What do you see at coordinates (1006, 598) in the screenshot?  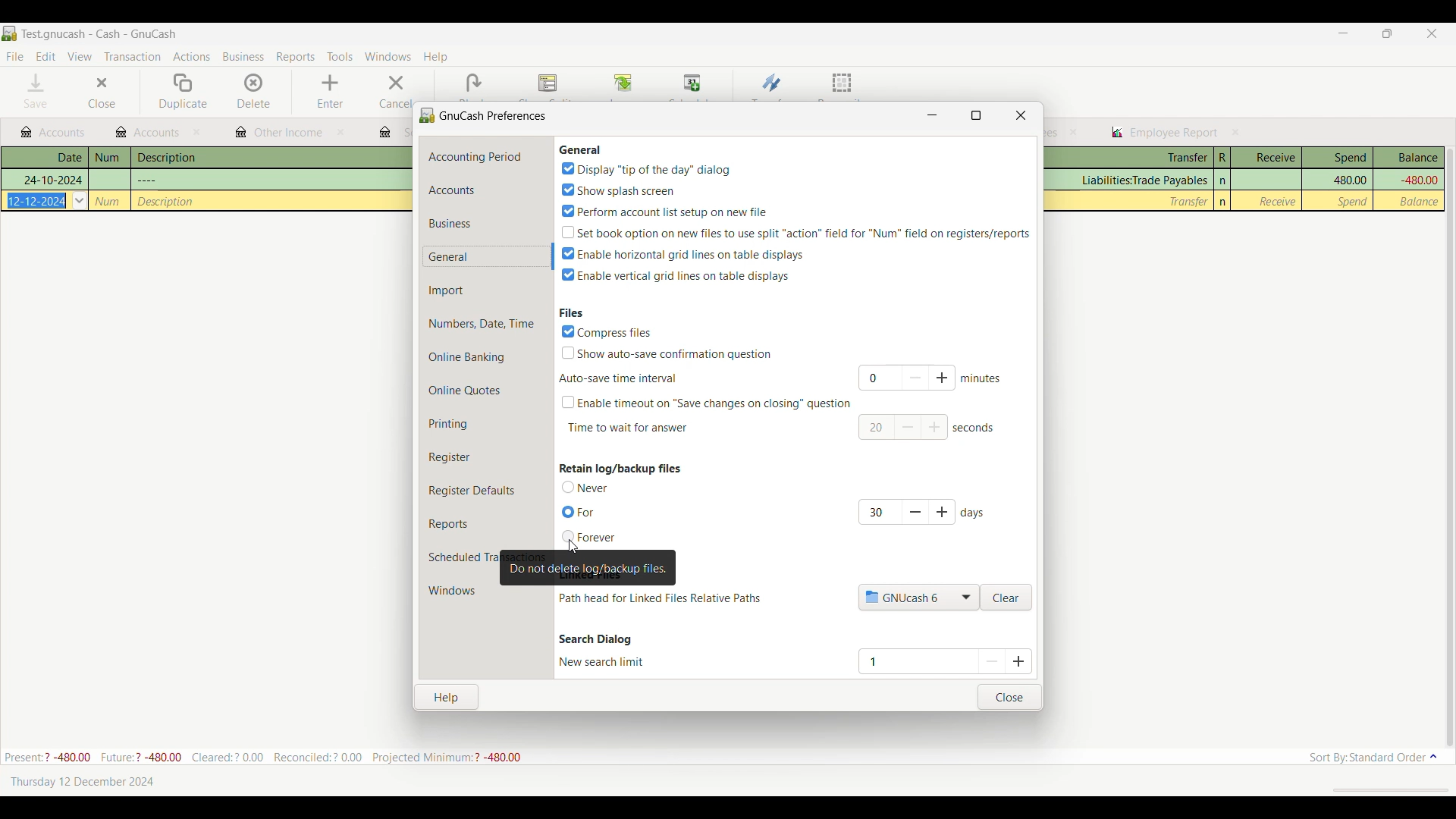 I see `Clear` at bounding box center [1006, 598].